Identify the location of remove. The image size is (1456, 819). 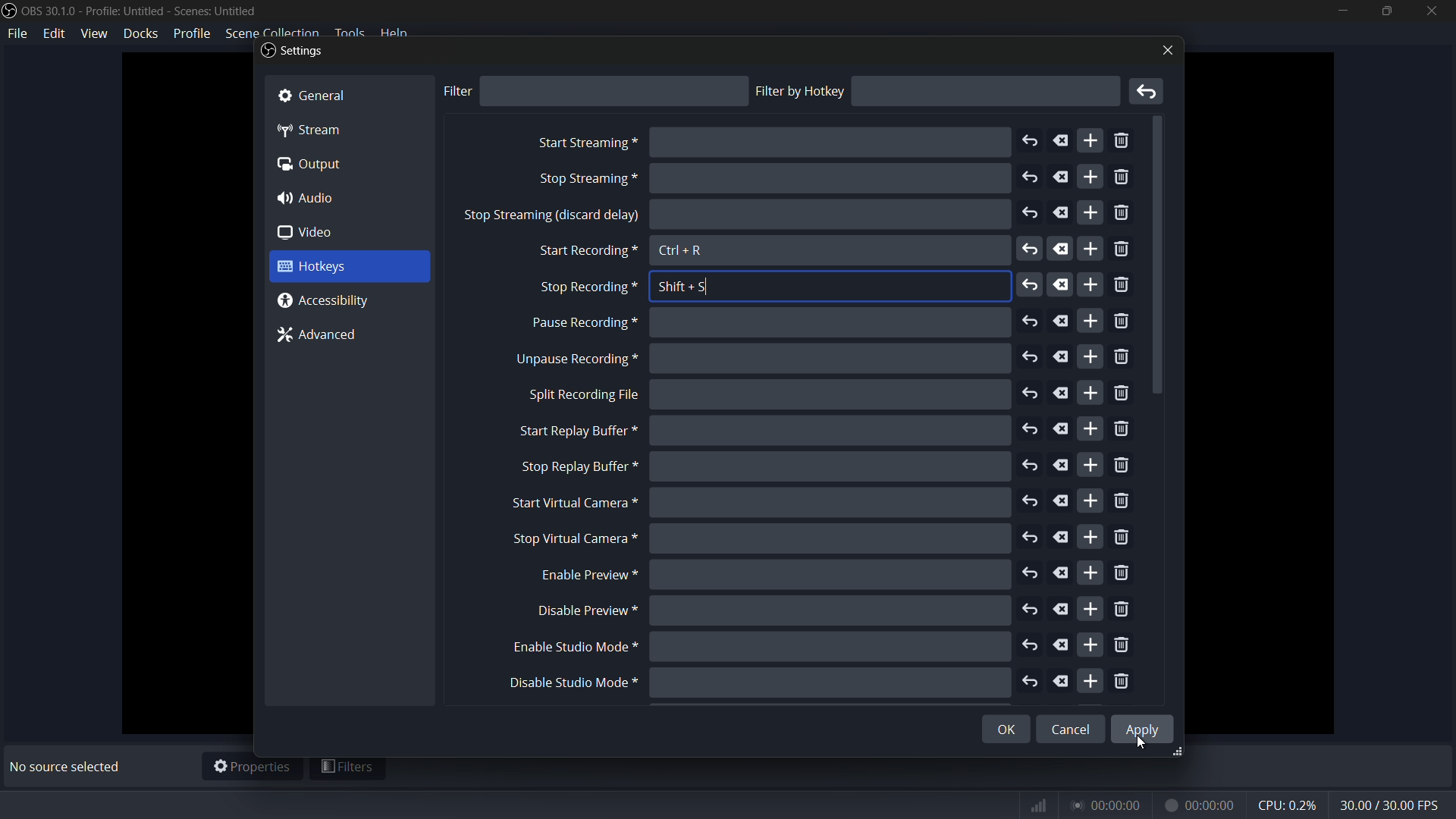
(1125, 394).